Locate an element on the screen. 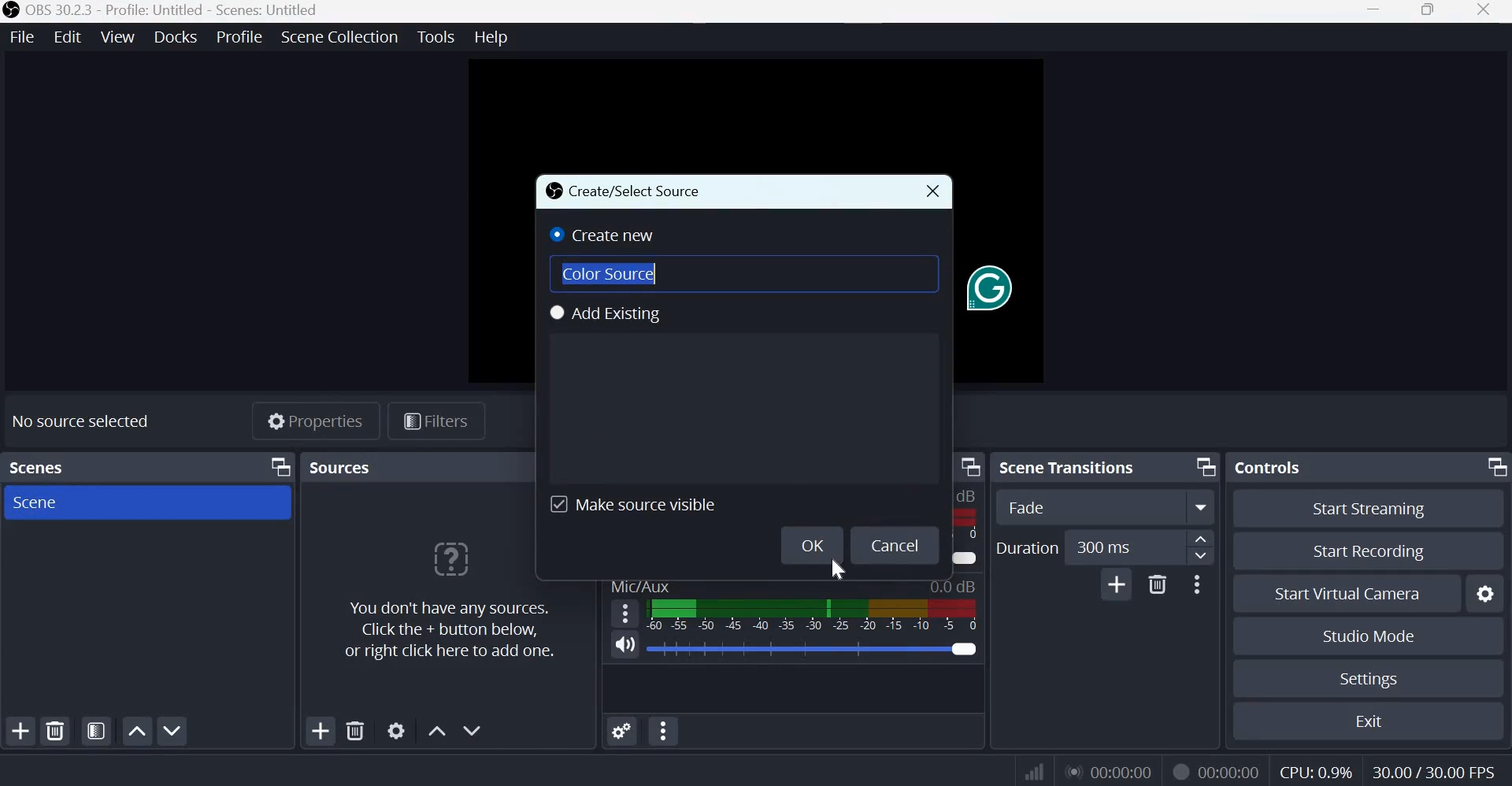  OBS studio logo is located at coordinates (11, 11).